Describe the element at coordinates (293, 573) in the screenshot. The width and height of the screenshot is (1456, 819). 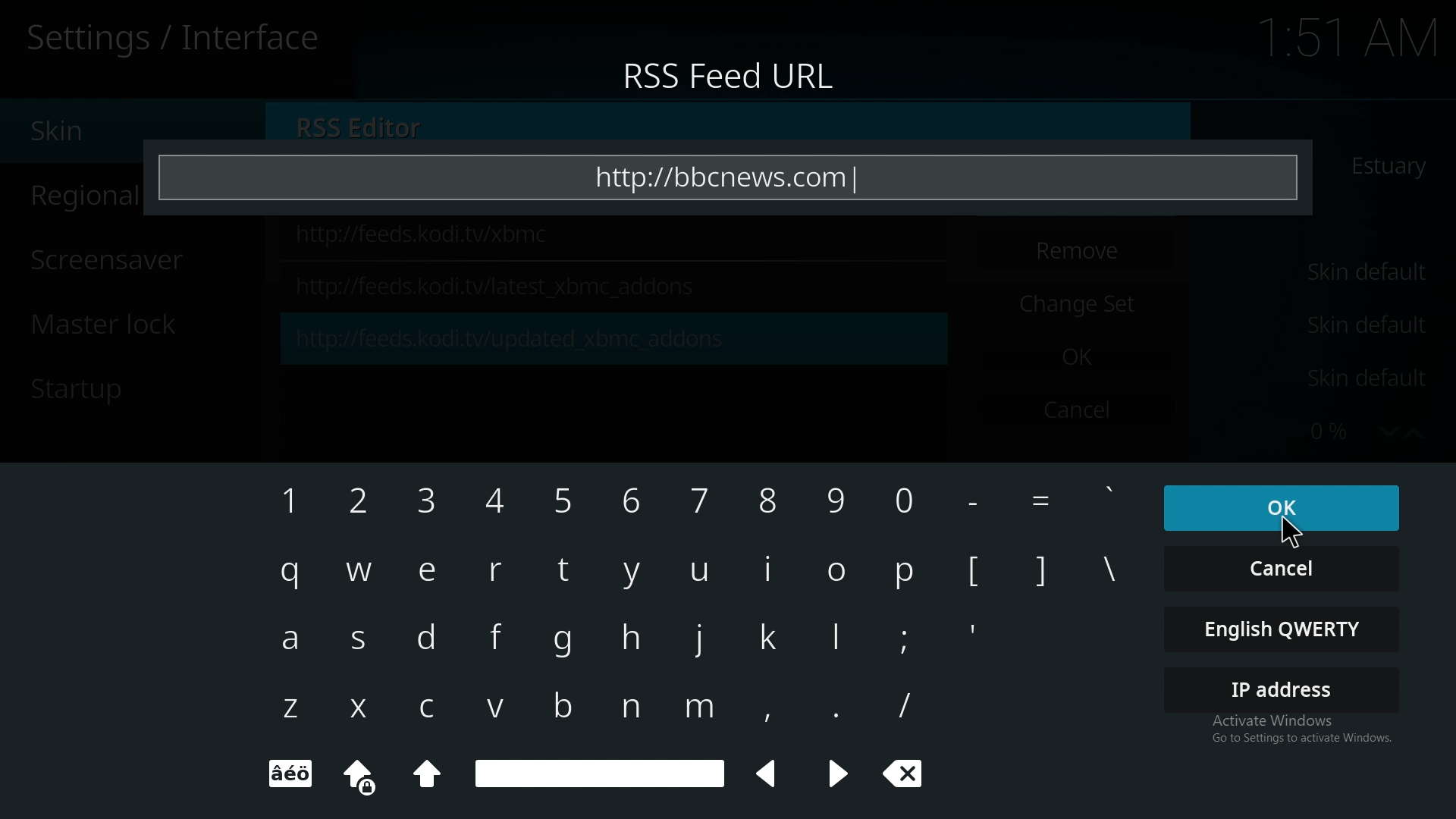
I see `q` at that location.